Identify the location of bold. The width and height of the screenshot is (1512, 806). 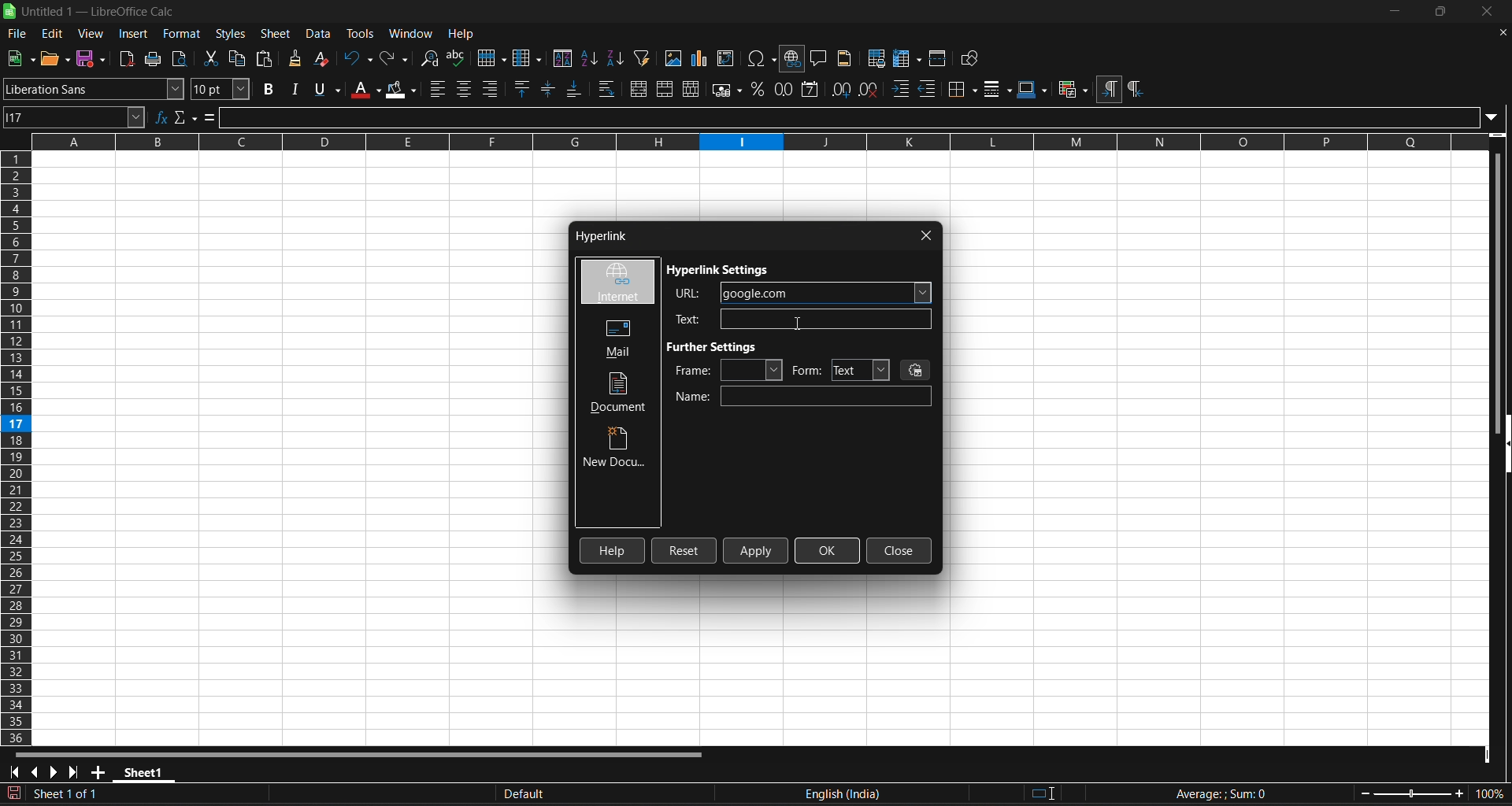
(269, 89).